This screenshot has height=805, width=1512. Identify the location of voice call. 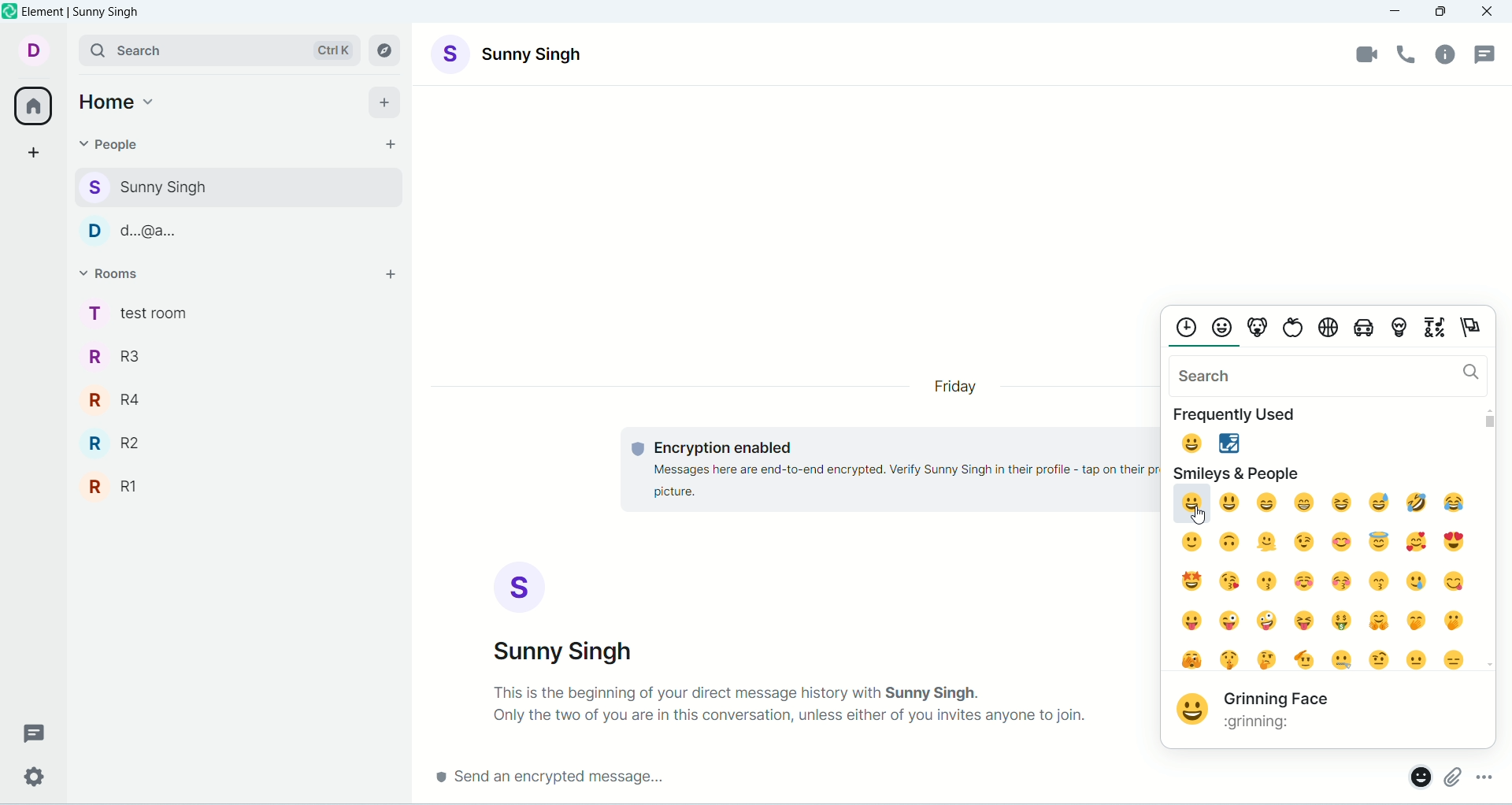
(1410, 57).